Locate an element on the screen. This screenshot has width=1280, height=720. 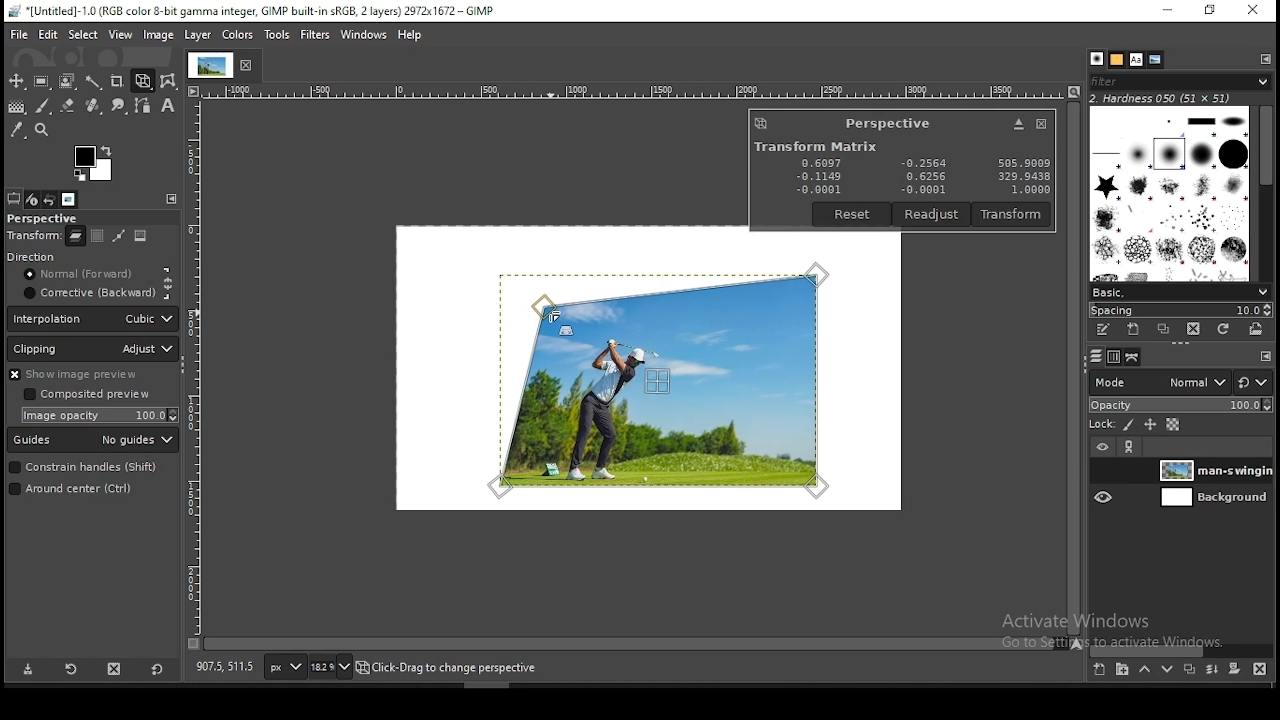
colors is located at coordinates (94, 163).